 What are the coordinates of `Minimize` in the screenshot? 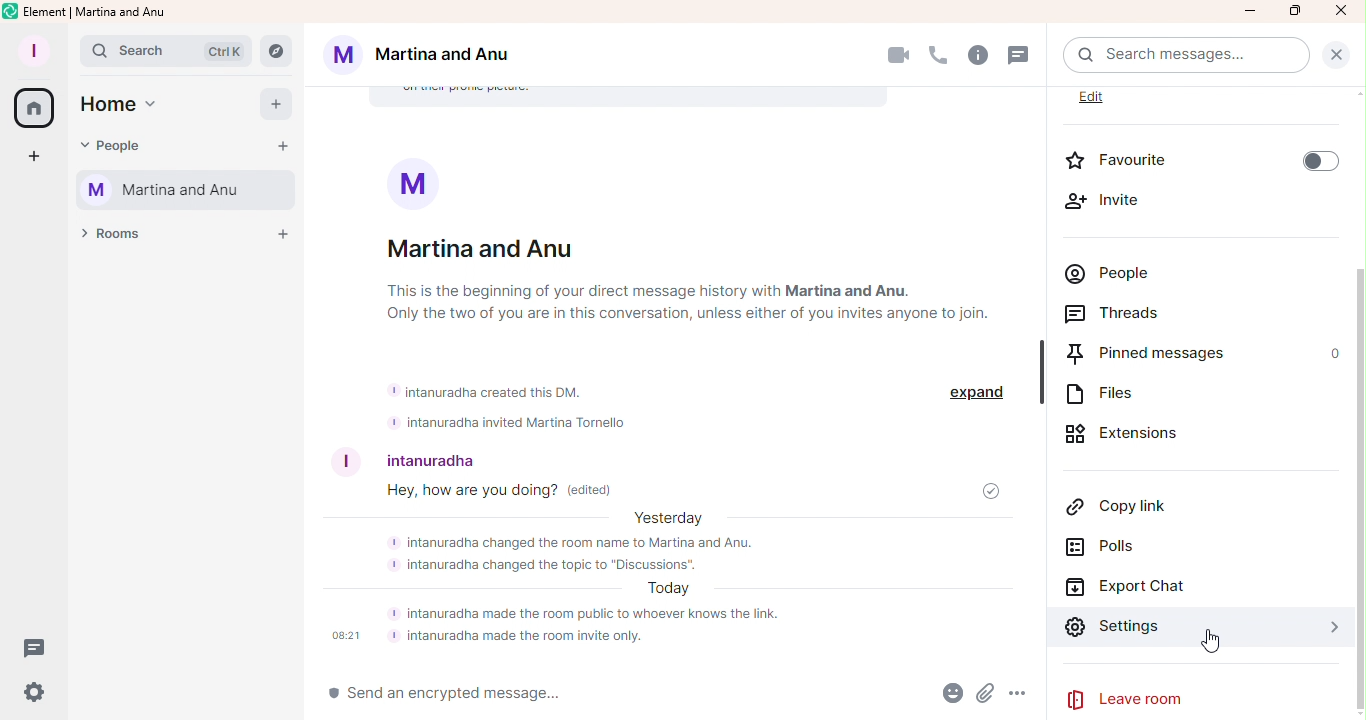 It's located at (1249, 11).